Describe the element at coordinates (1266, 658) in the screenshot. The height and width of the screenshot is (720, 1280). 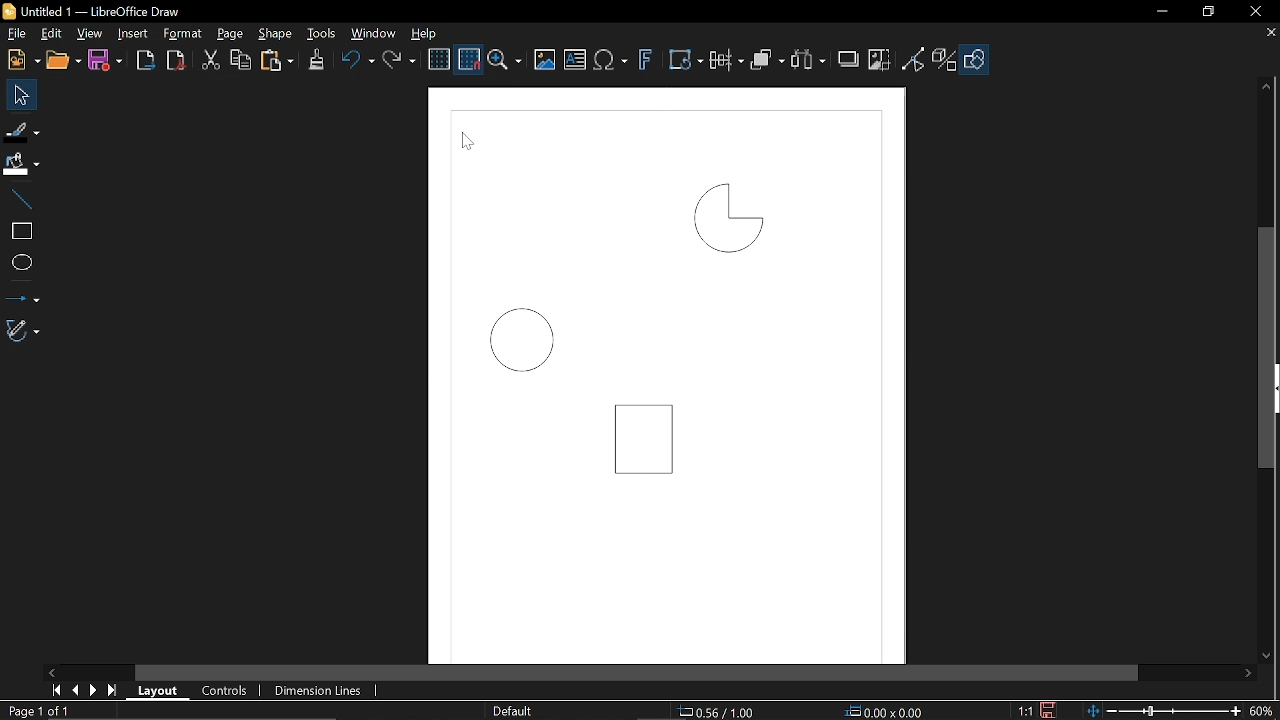
I see `Move down` at that location.